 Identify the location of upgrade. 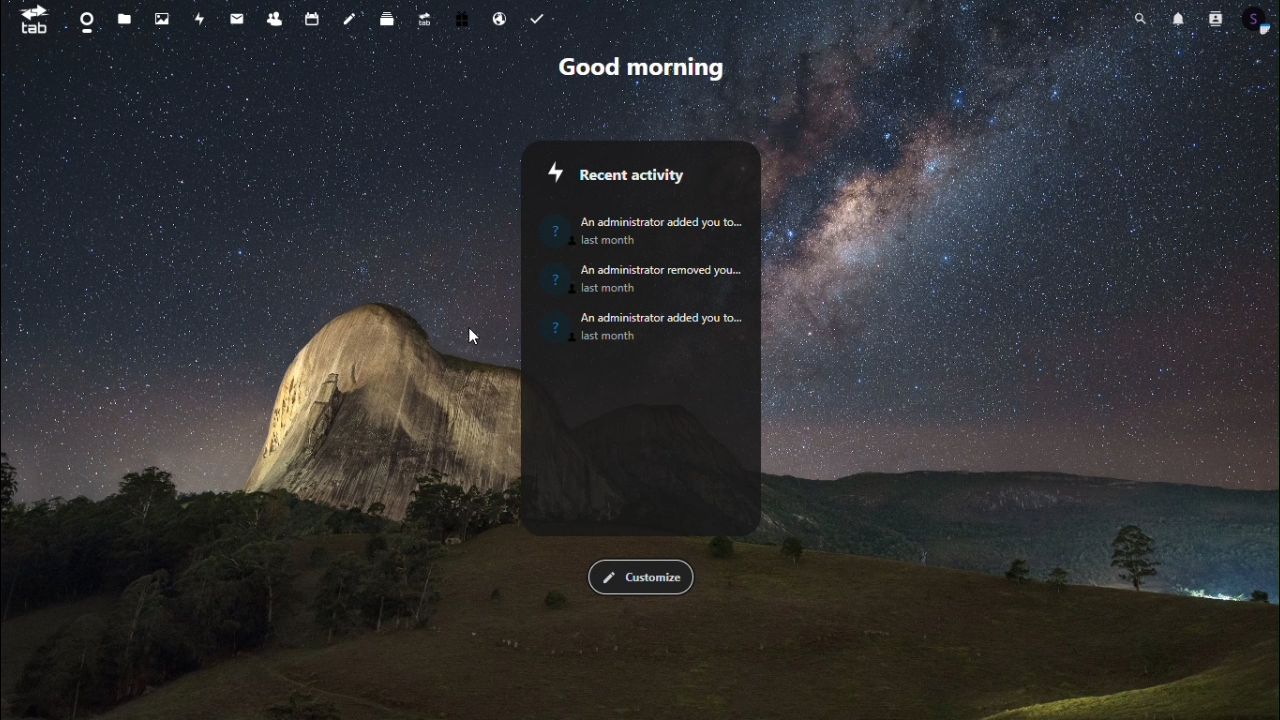
(423, 23).